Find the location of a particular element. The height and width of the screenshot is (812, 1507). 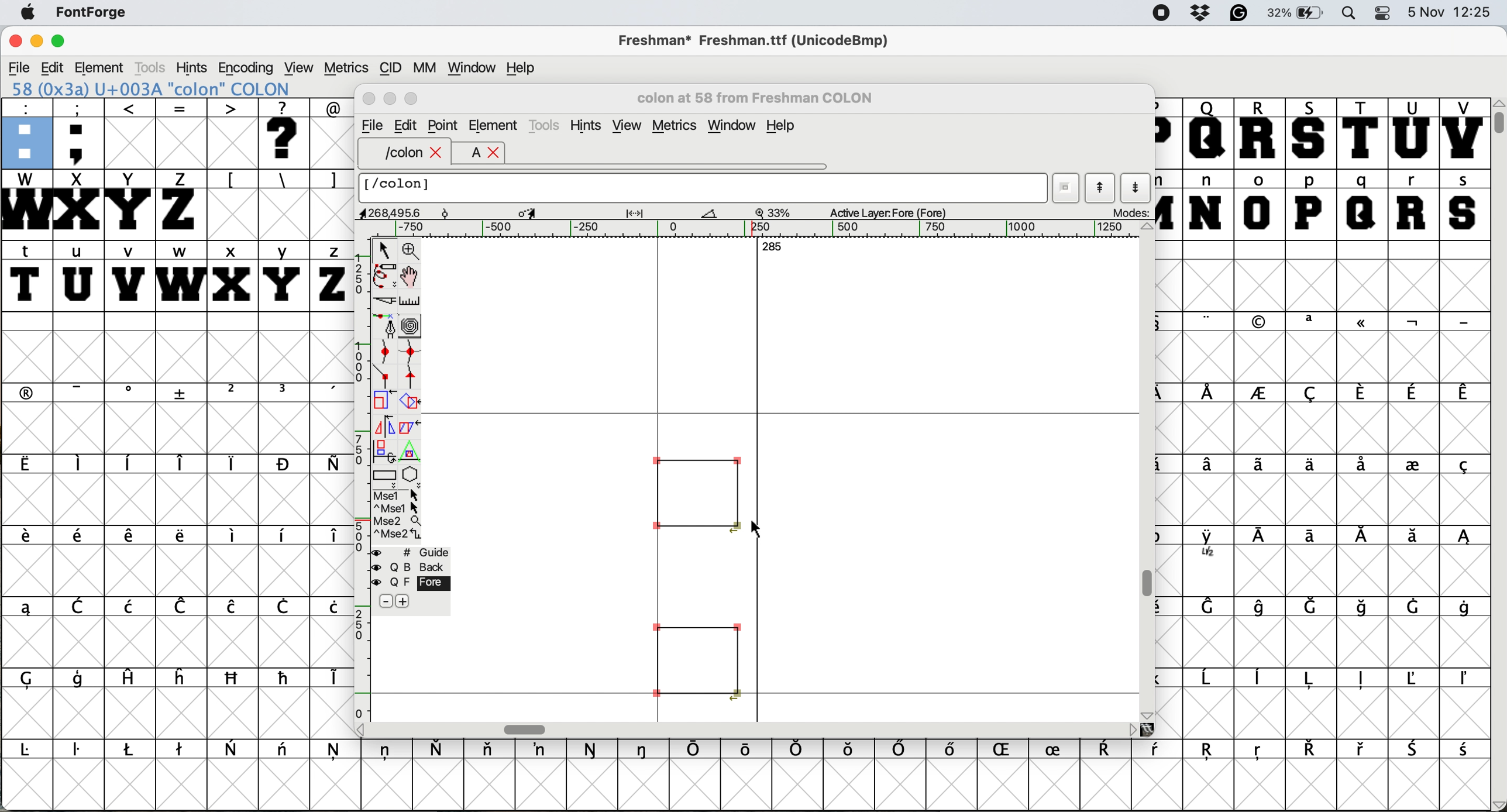

symbol is located at coordinates (1059, 748).